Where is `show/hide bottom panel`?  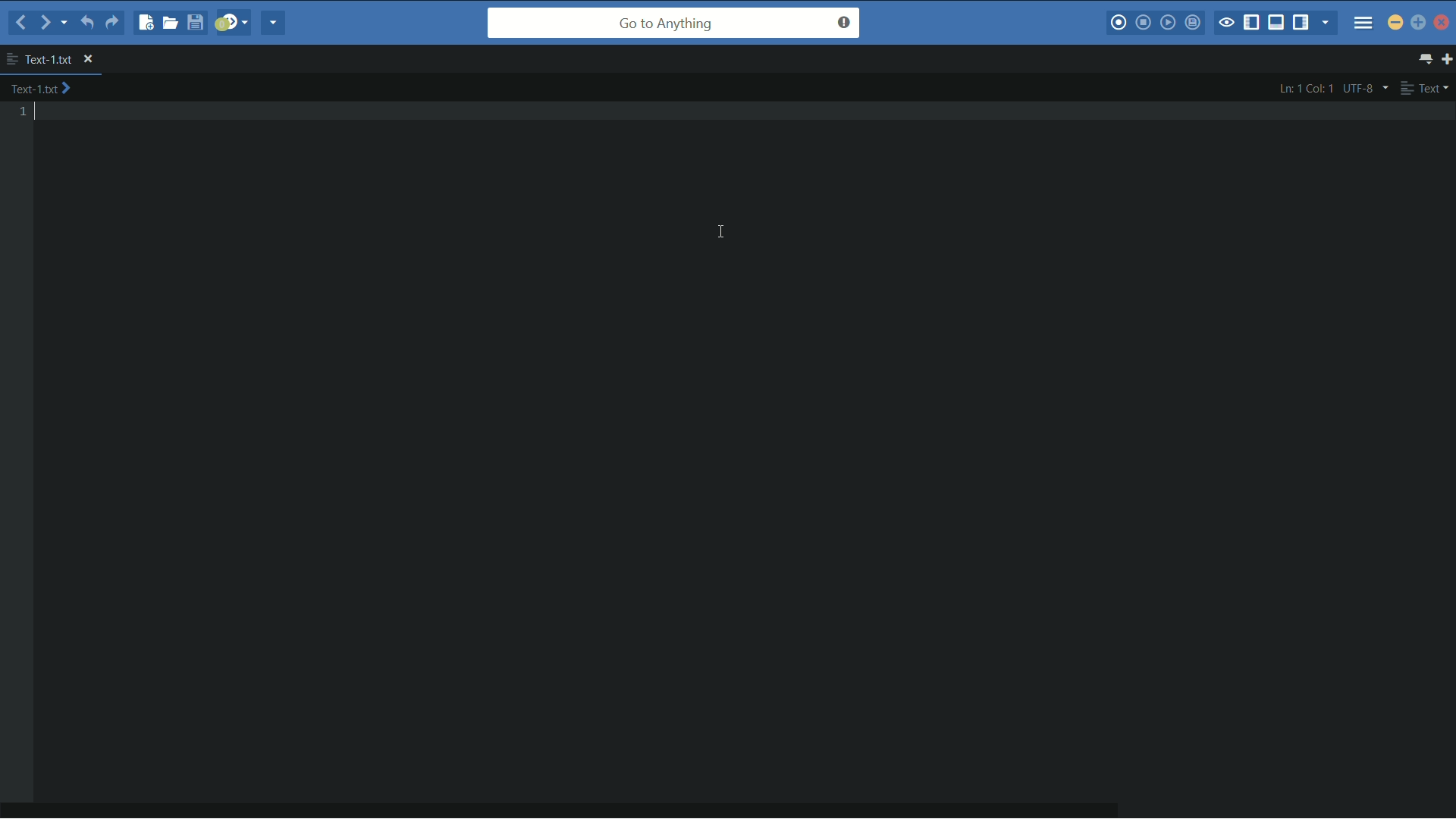
show/hide bottom panel is located at coordinates (1277, 23).